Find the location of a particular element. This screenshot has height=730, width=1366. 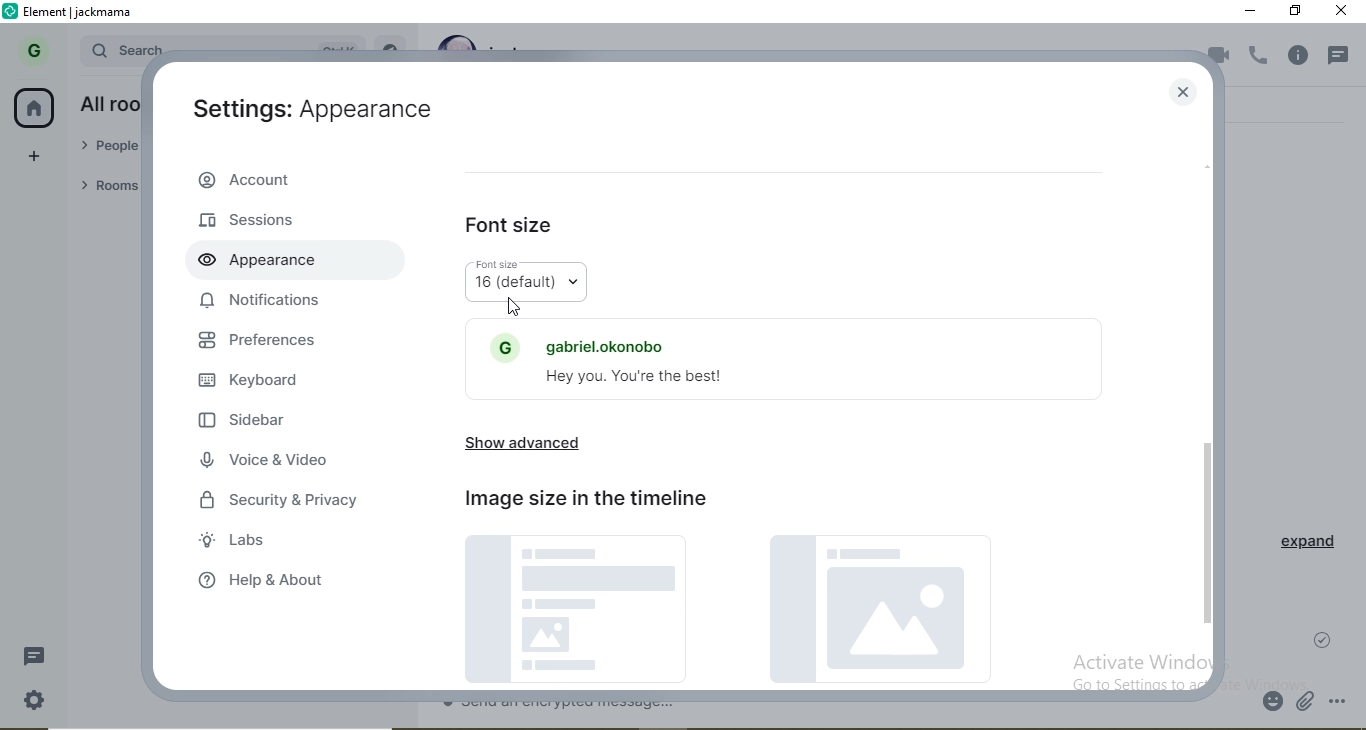

expand is located at coordinates (1301, 547).